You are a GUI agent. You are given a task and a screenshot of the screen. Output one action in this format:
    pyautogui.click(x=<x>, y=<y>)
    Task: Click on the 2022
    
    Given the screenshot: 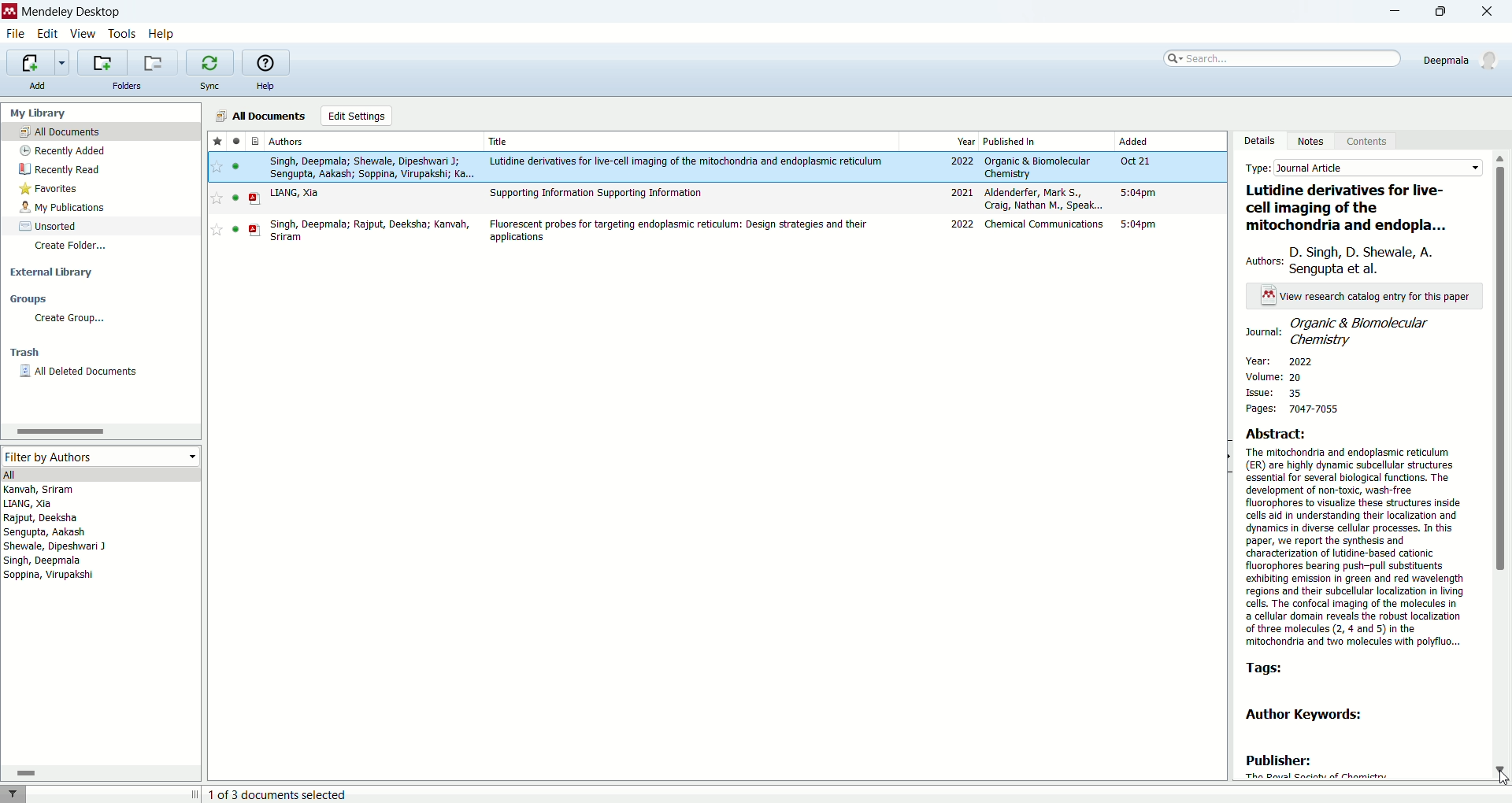 What is the action you would take?
    pyautogui.click(x=963, y=224)
    